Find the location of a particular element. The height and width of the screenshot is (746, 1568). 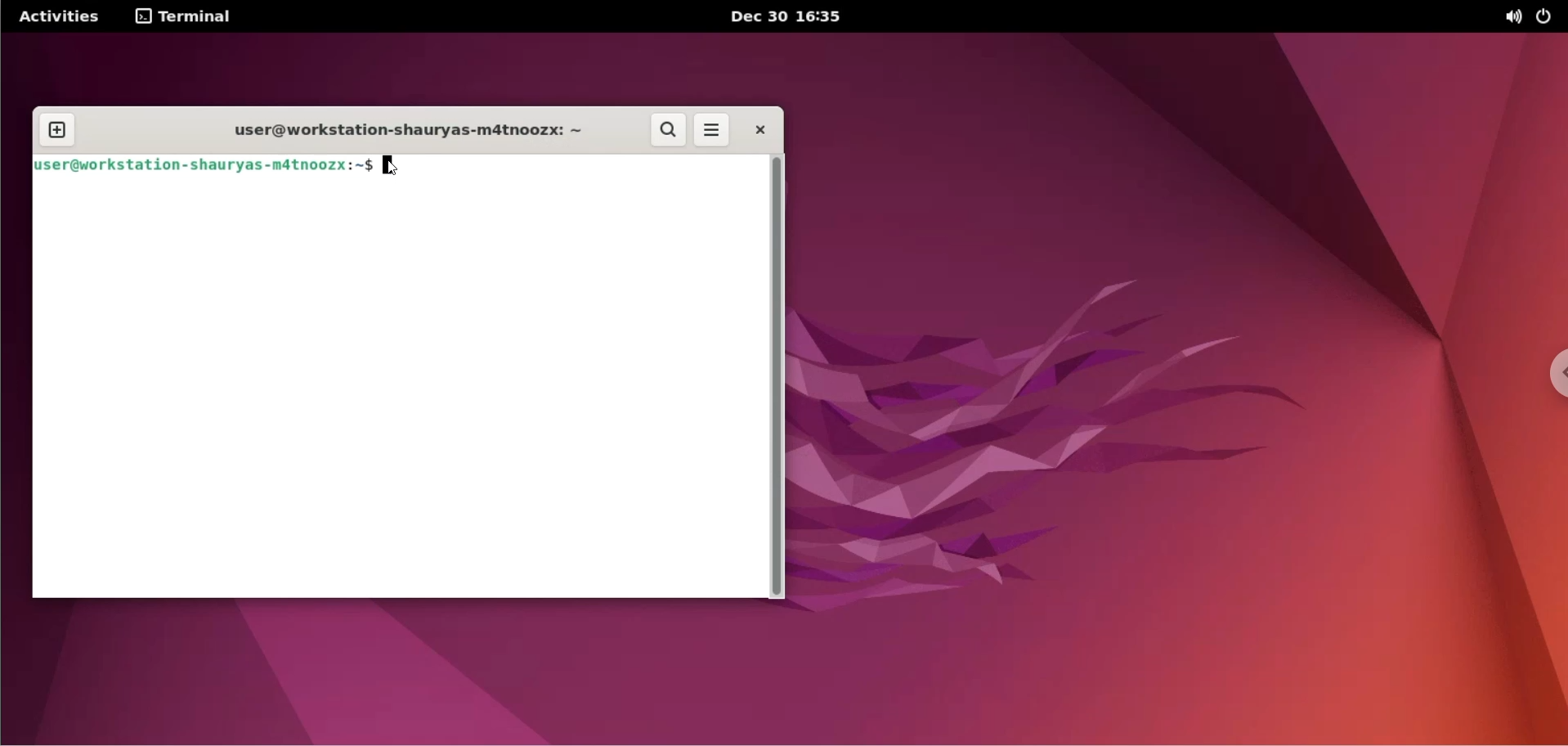

close is located at coordinates (760, 130).